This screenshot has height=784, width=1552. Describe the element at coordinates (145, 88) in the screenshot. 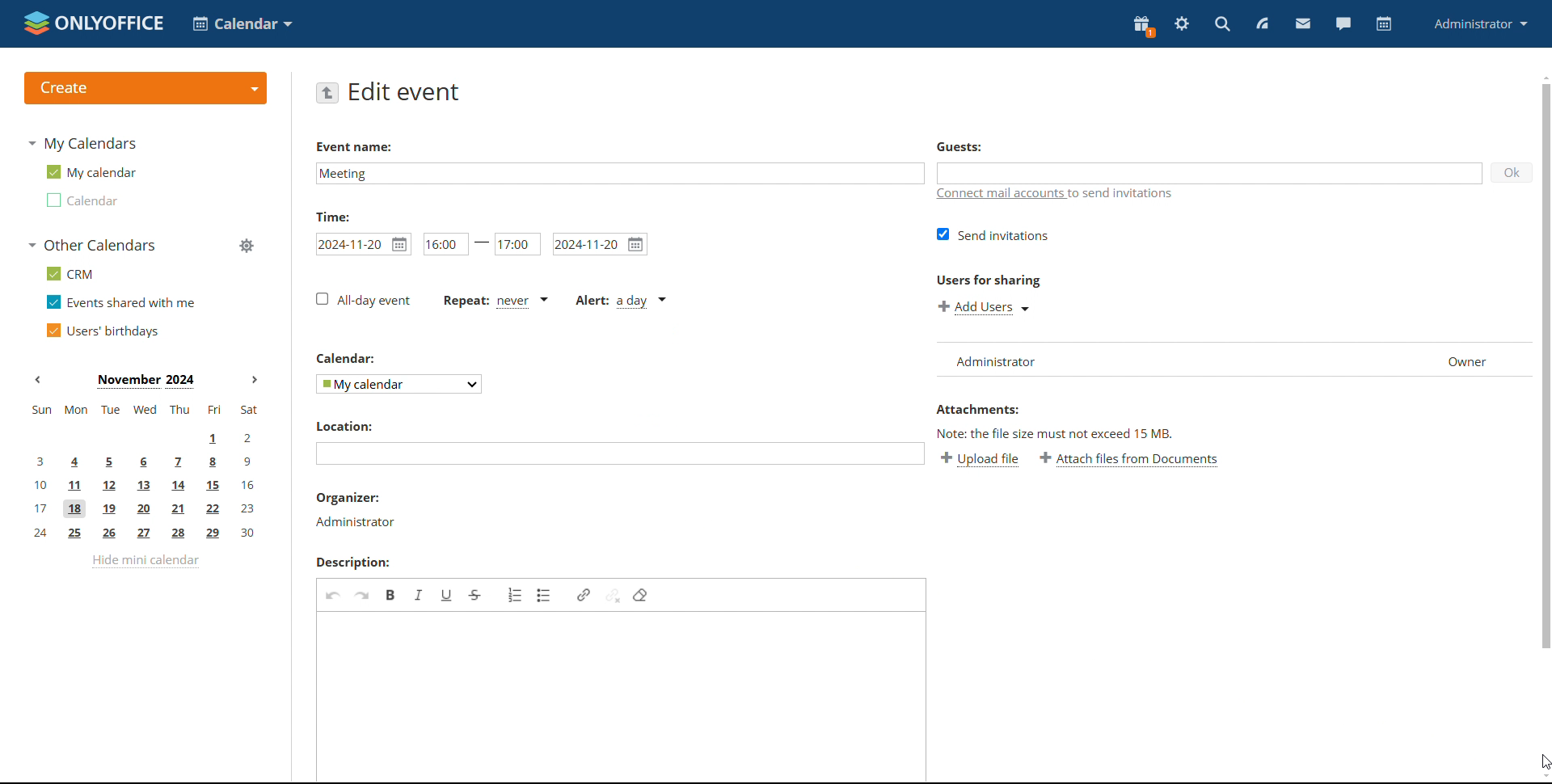

I see `create` at that location.